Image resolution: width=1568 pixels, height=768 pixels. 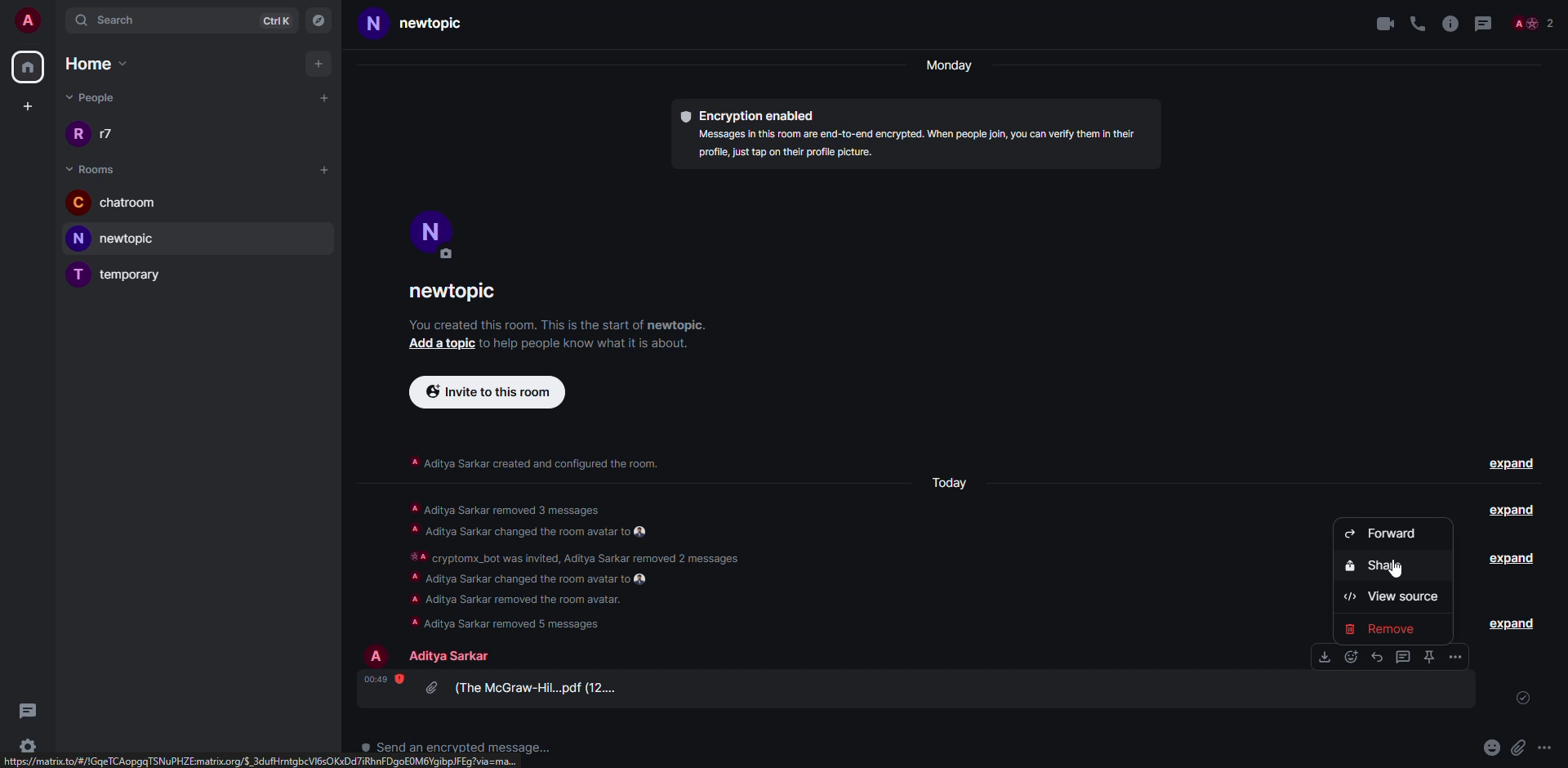 I want to click on pin, so click(x=1429, y=657).